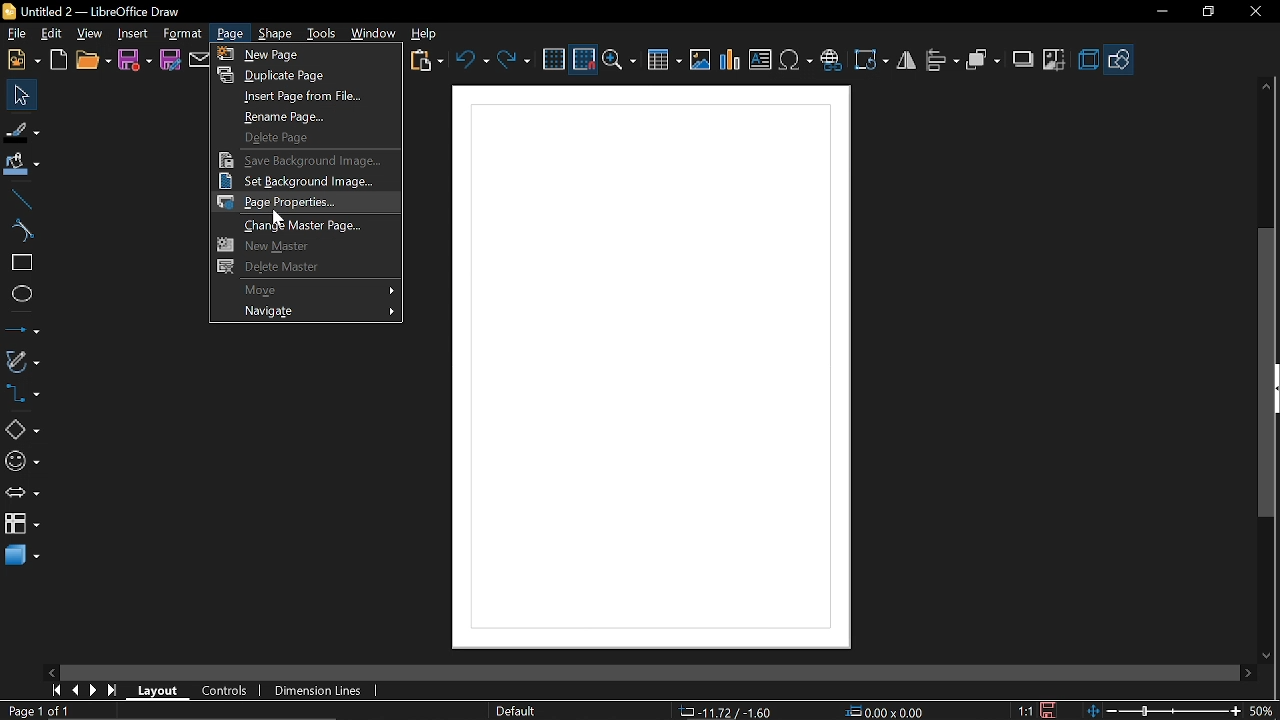 This screenshot has height=720, width=1280. Describe the element at coordinates (184, 34) in the screenshot. I see `format` at that location.